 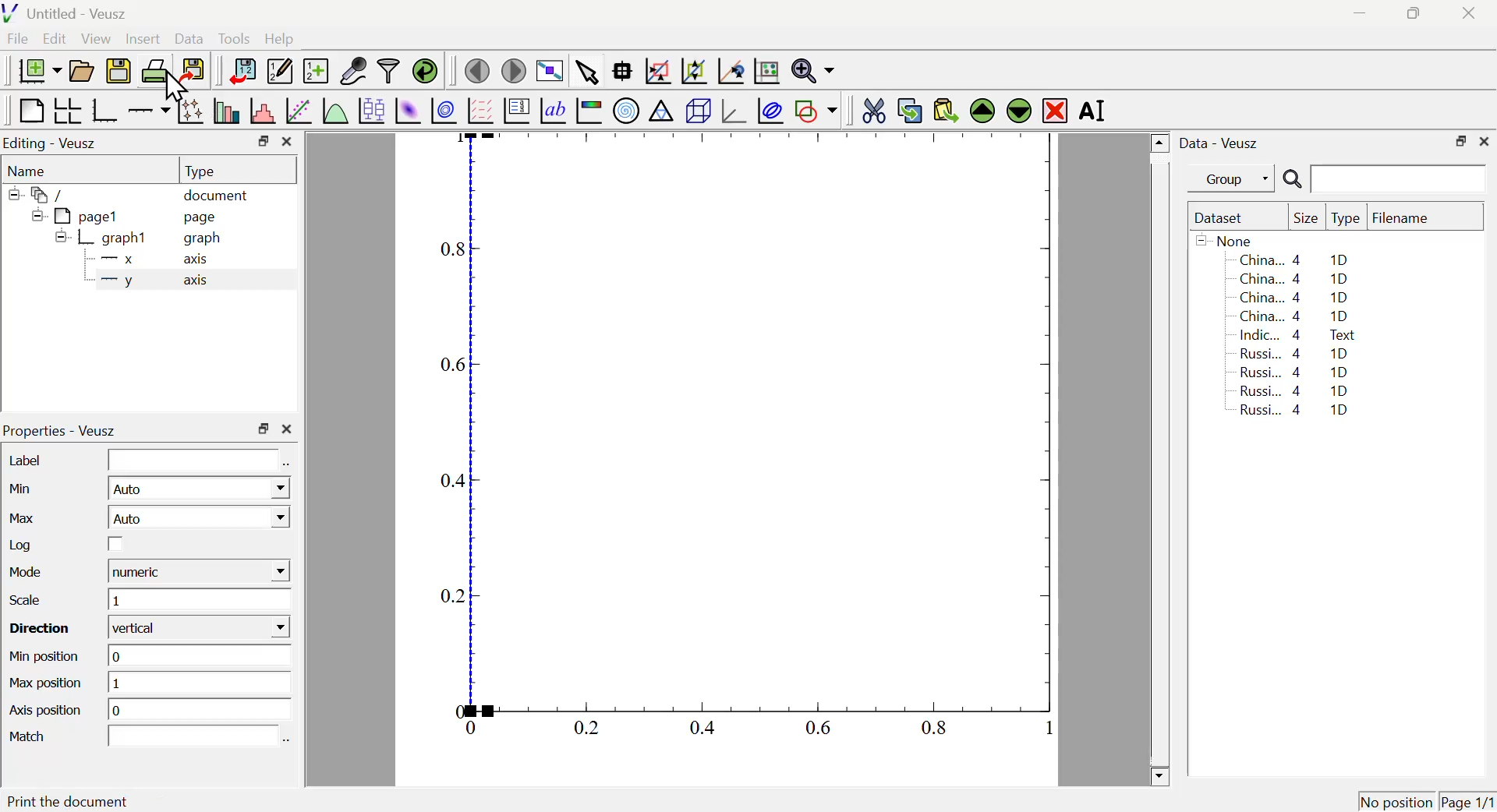 I want to click on Group, so click(x=1236, y=180).